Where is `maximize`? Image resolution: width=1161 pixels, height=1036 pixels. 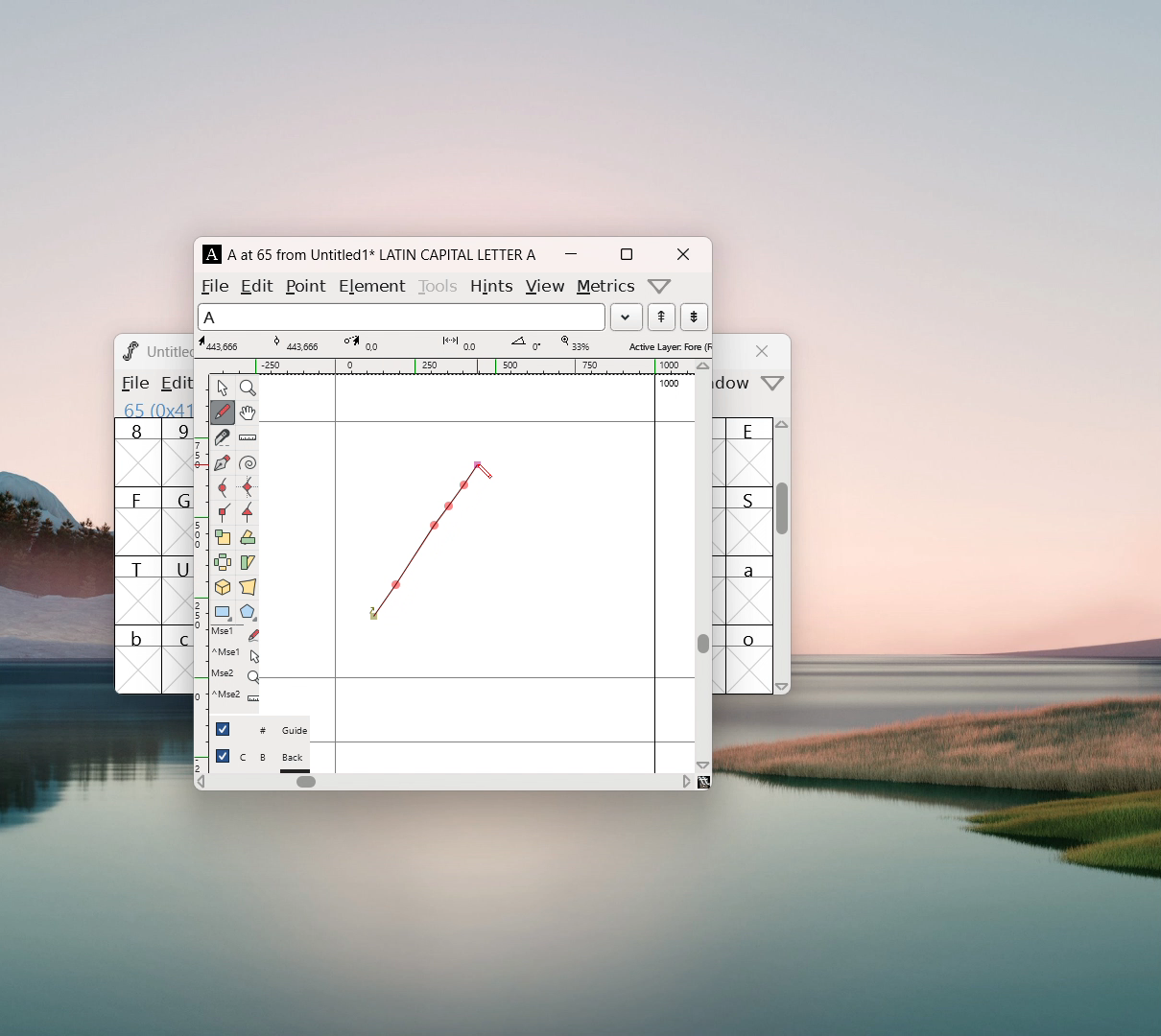 maximize is located at coordinates (626, 254).